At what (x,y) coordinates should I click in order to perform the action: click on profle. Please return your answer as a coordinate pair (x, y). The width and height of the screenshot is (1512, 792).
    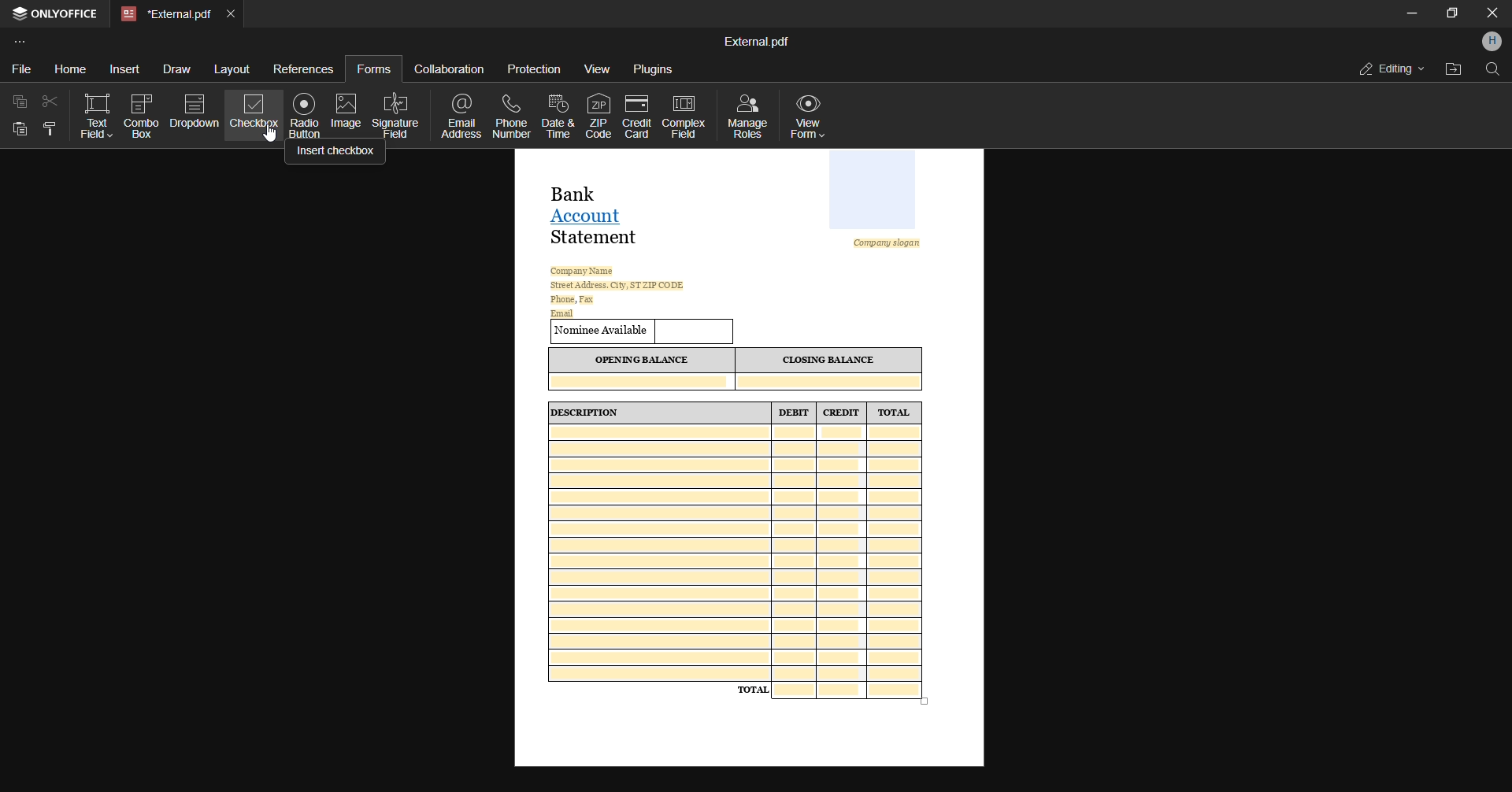
    Looking at the image, I should click on (1492, 42).